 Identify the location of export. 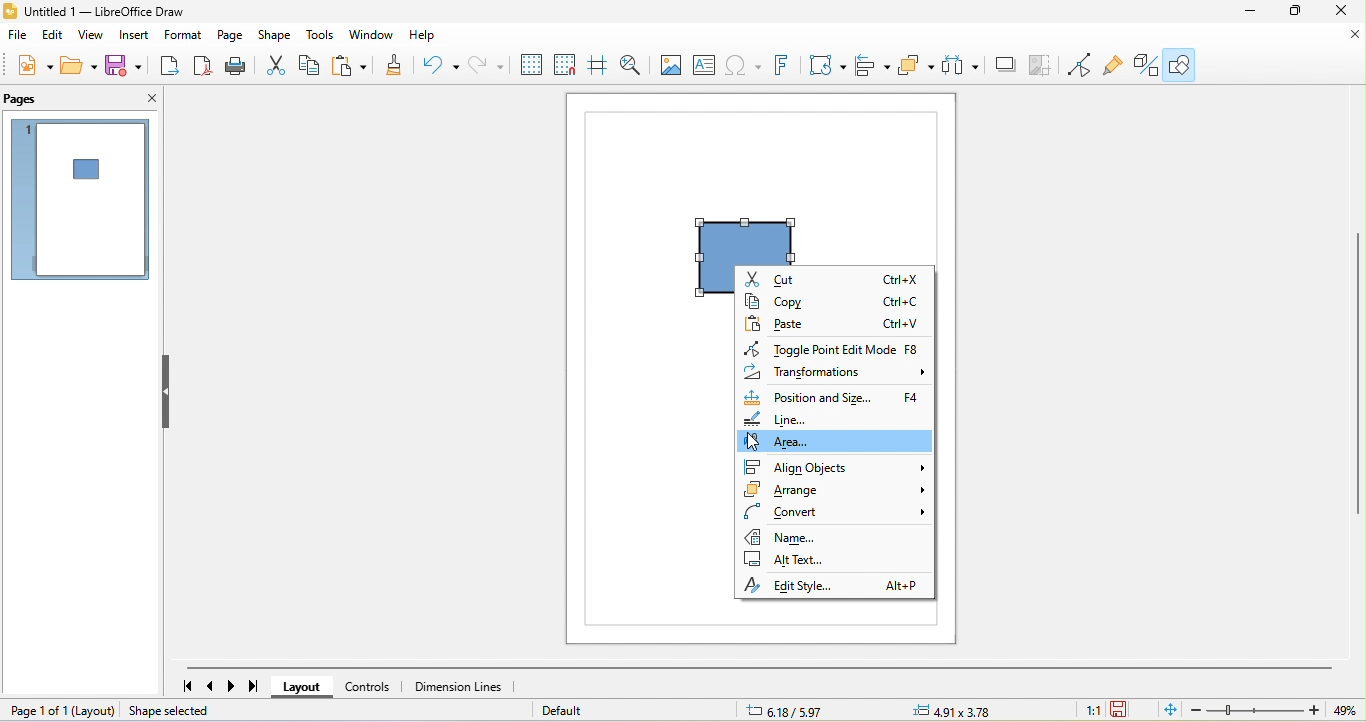
(169, 68).